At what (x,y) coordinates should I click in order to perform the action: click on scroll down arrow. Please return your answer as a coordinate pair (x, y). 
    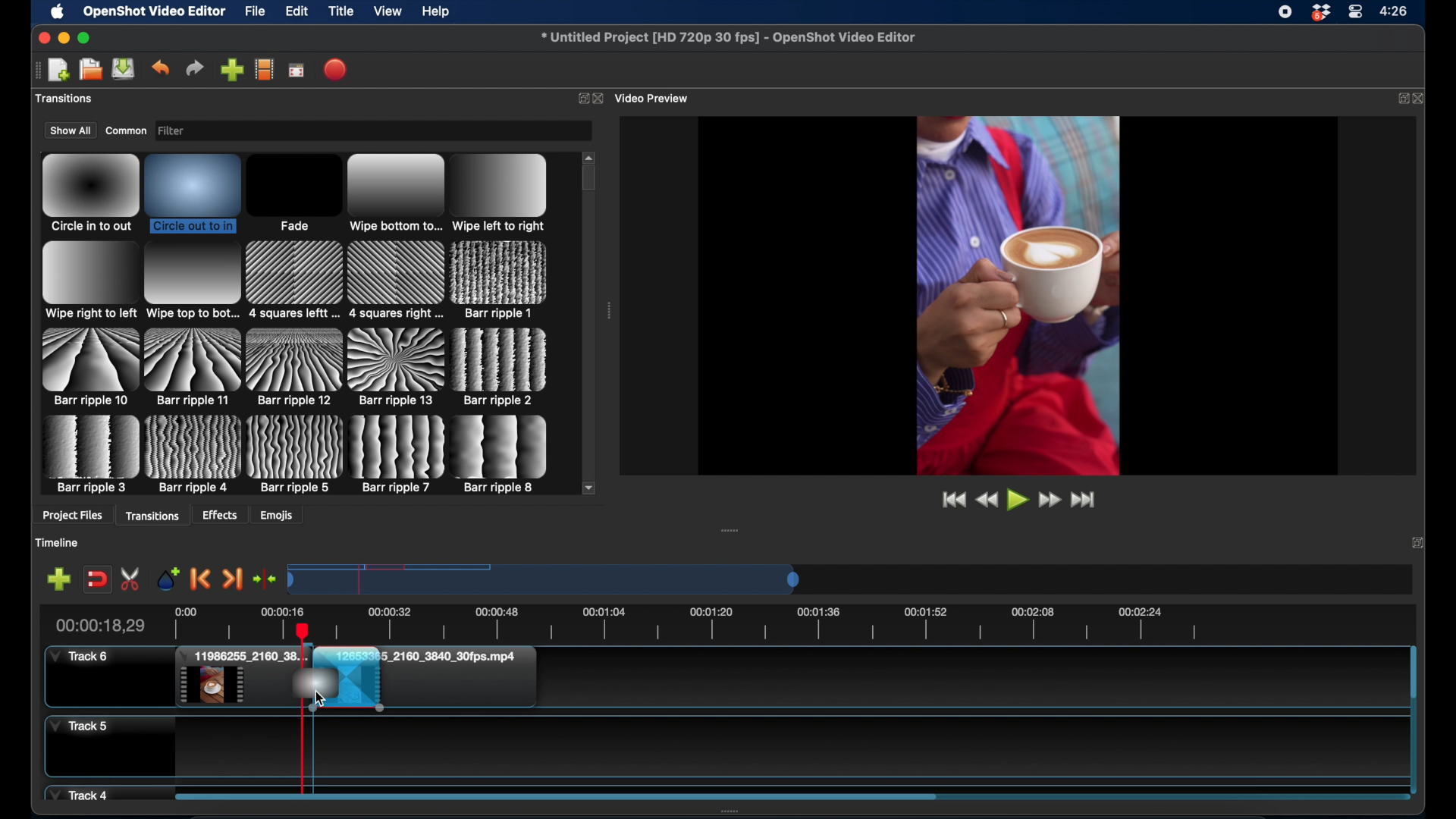
    Looking at the image, I should click on (589, 487).